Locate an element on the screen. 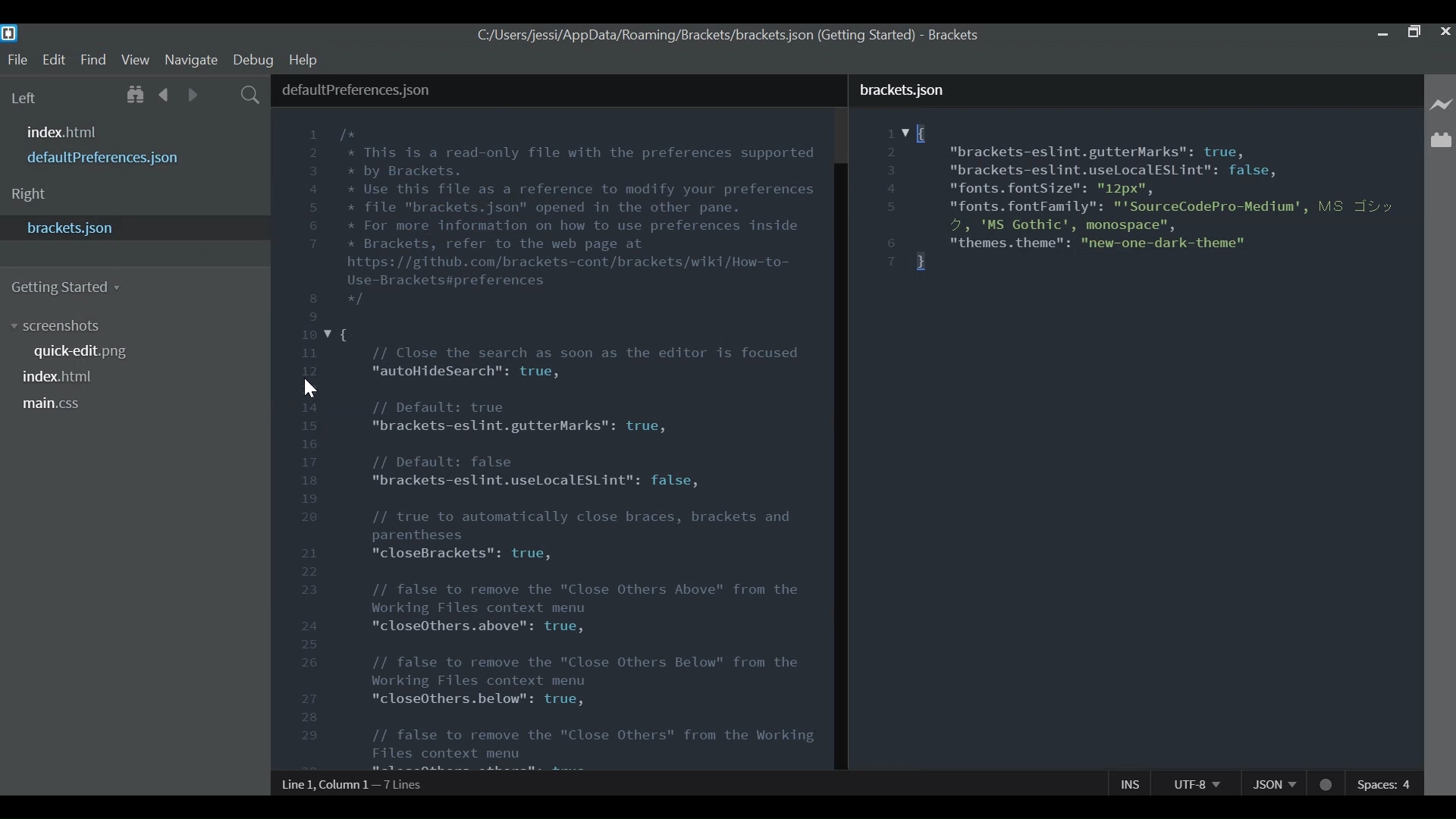 The width and height of the screenshot is (1456, 819). Find is located at coordinates (94, 59).